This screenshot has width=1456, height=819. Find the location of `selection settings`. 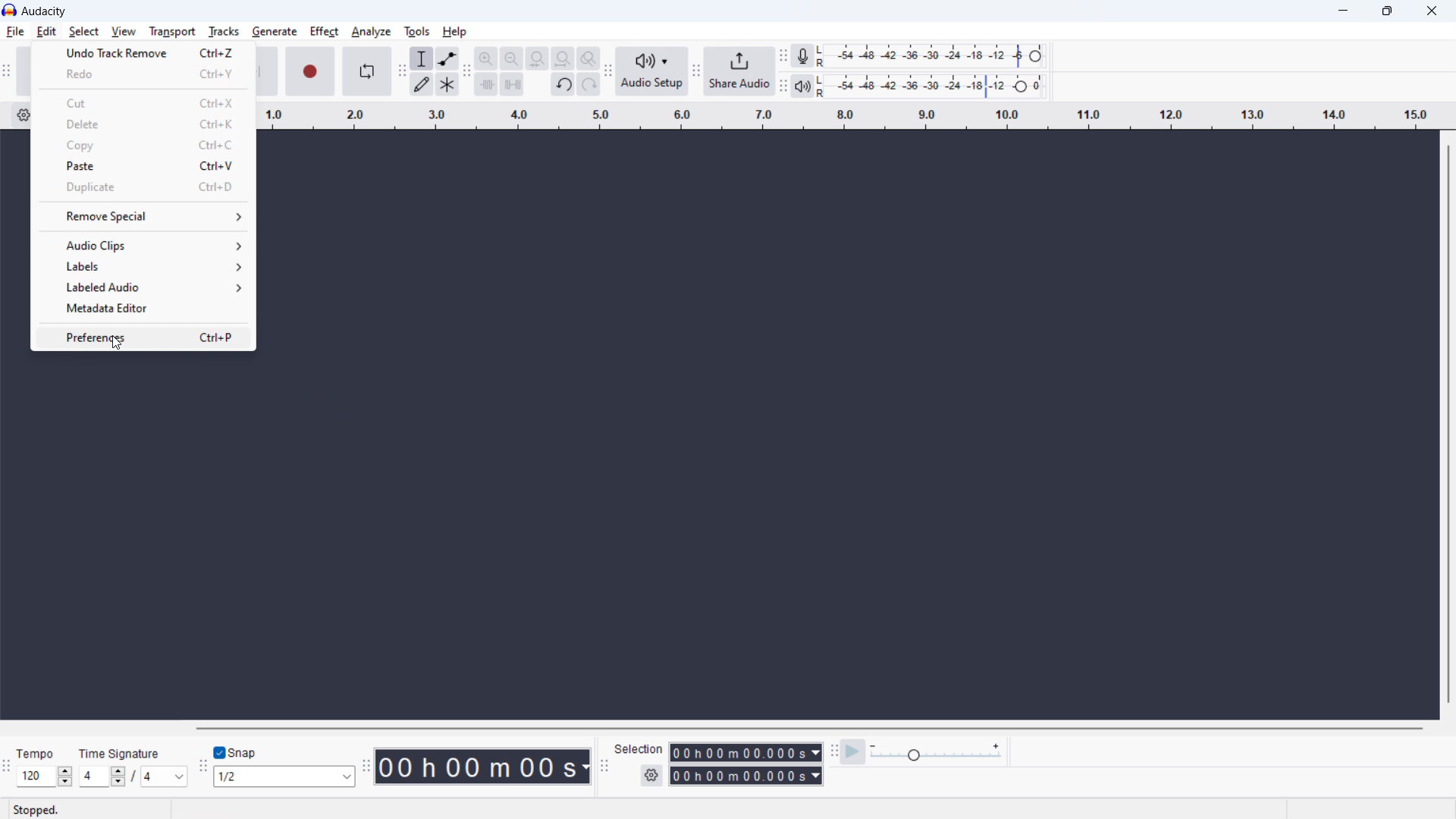

selection settings is located at coordinates (651, 776).